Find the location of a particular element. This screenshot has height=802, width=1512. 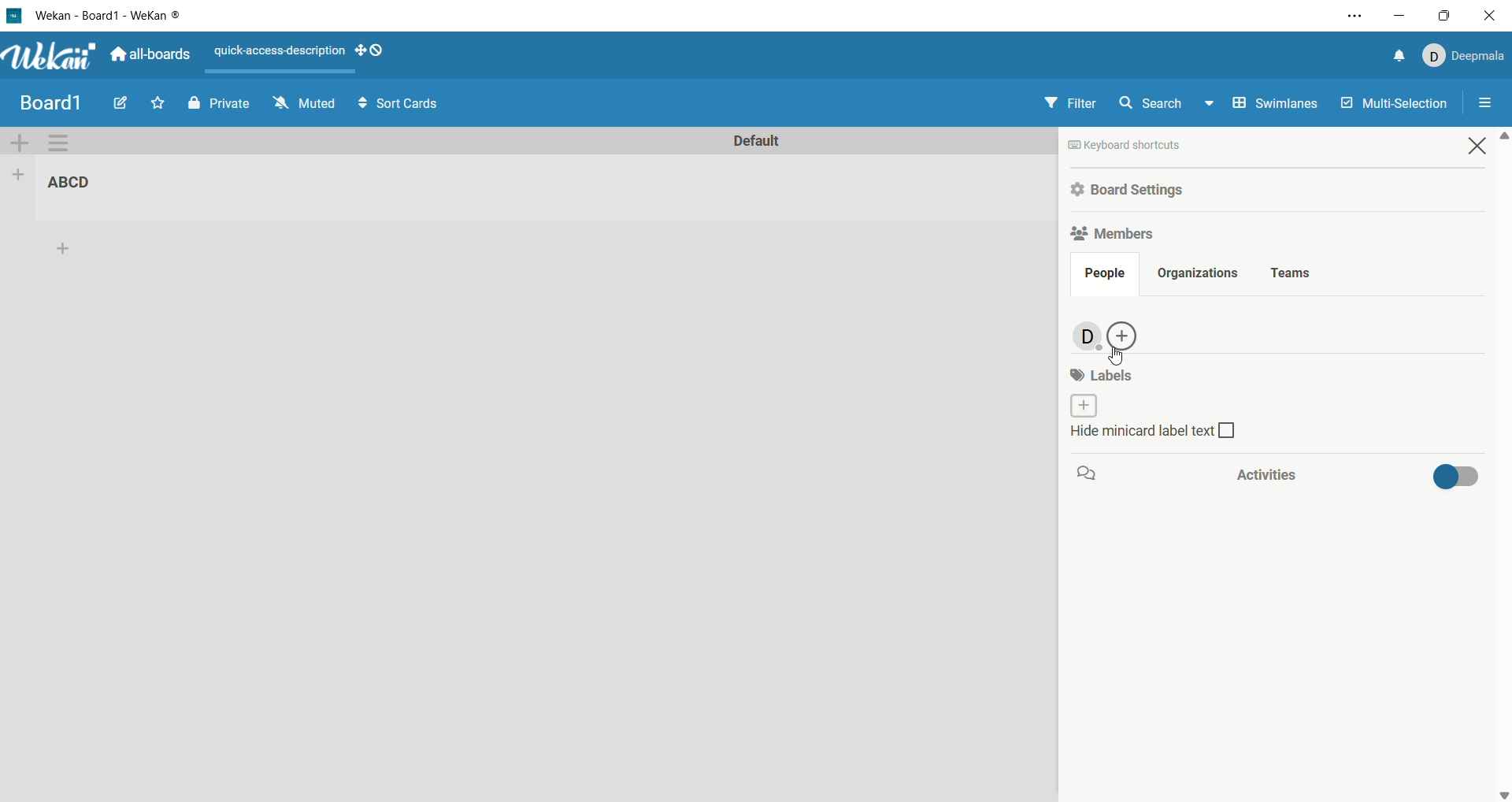

swimlane action is located at coordinates (65, 144).